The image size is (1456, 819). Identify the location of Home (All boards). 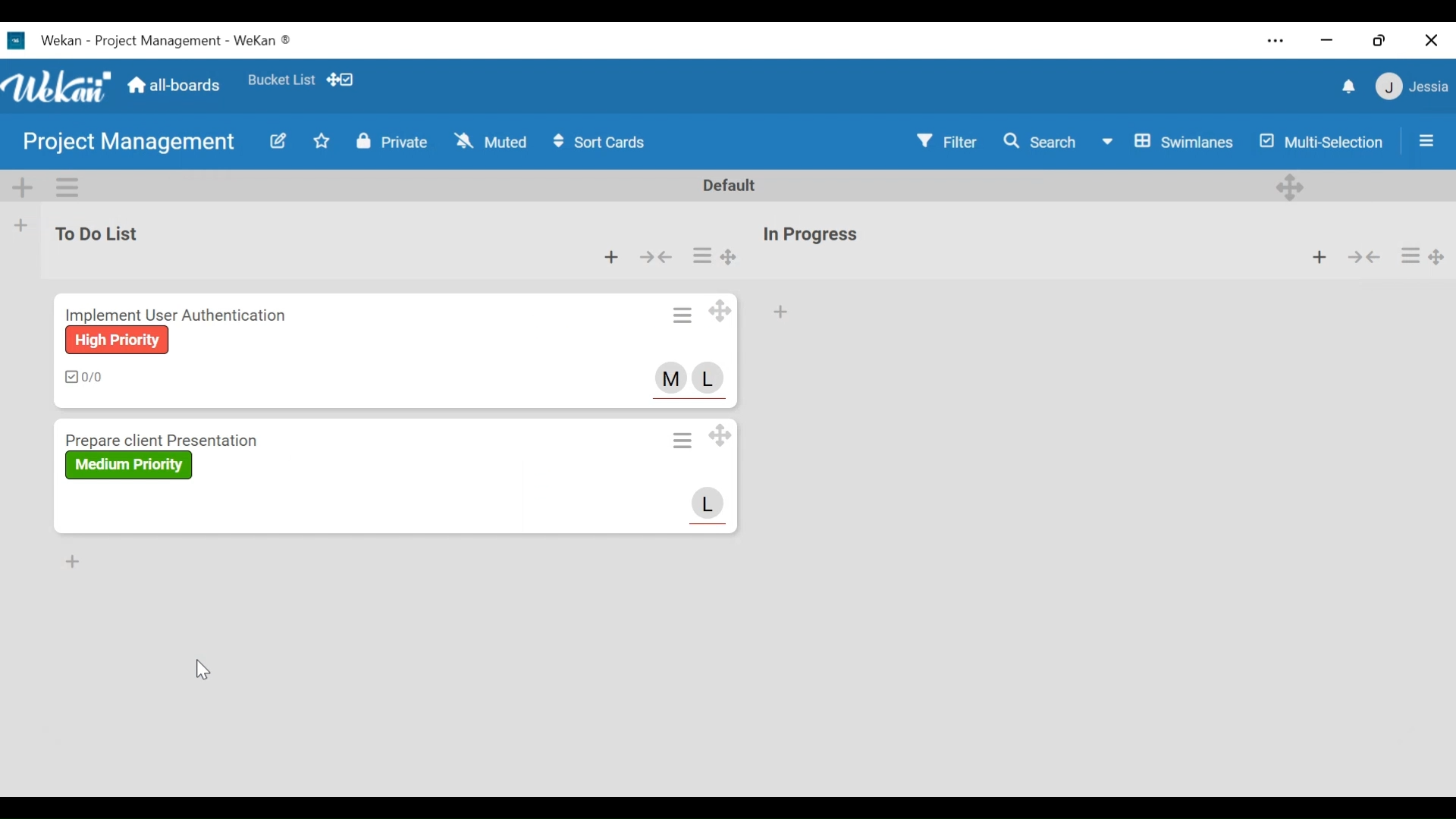
(176, 84).